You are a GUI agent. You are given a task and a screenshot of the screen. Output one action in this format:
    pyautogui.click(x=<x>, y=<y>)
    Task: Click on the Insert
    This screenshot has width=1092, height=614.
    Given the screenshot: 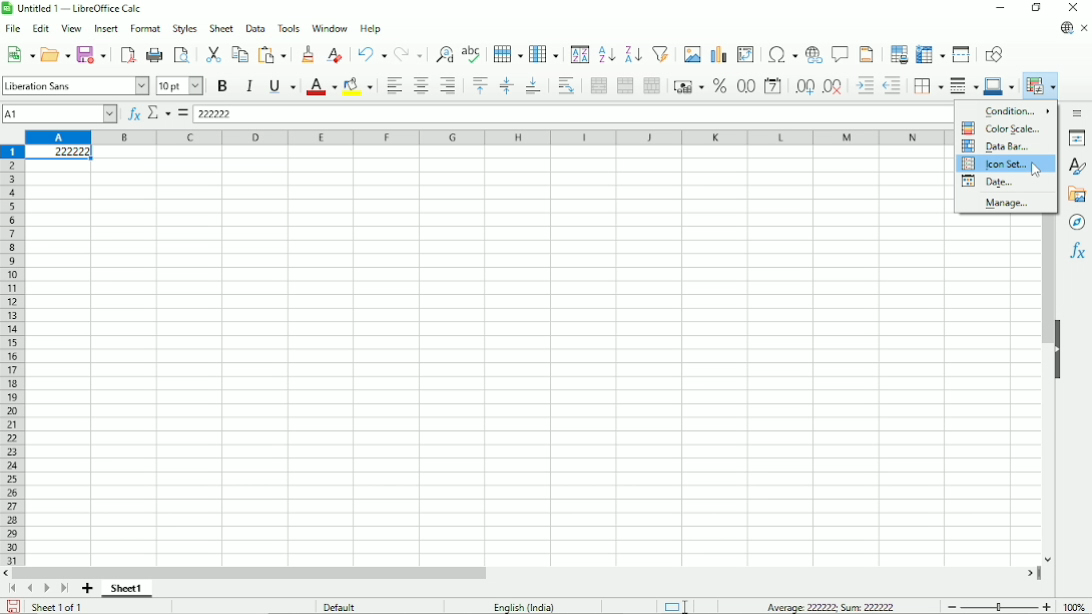 What is the action you would take?
    pyautogui.click(x=104, y=29)
    